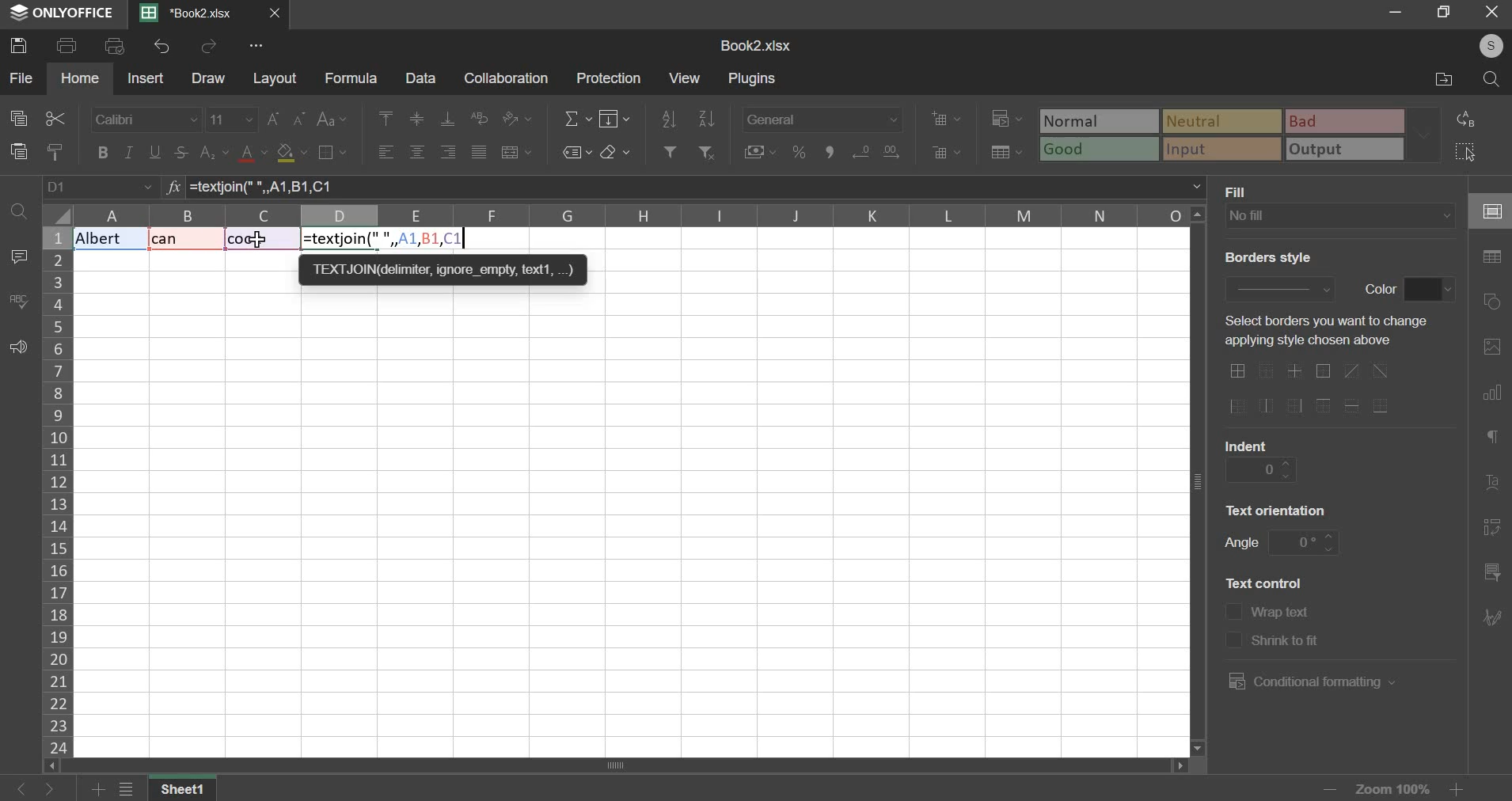 The height and width of the screenshot is (801, 1512). Describe the element at coordinates (833, 152) in the screenshot. I see `comma style` at that location.